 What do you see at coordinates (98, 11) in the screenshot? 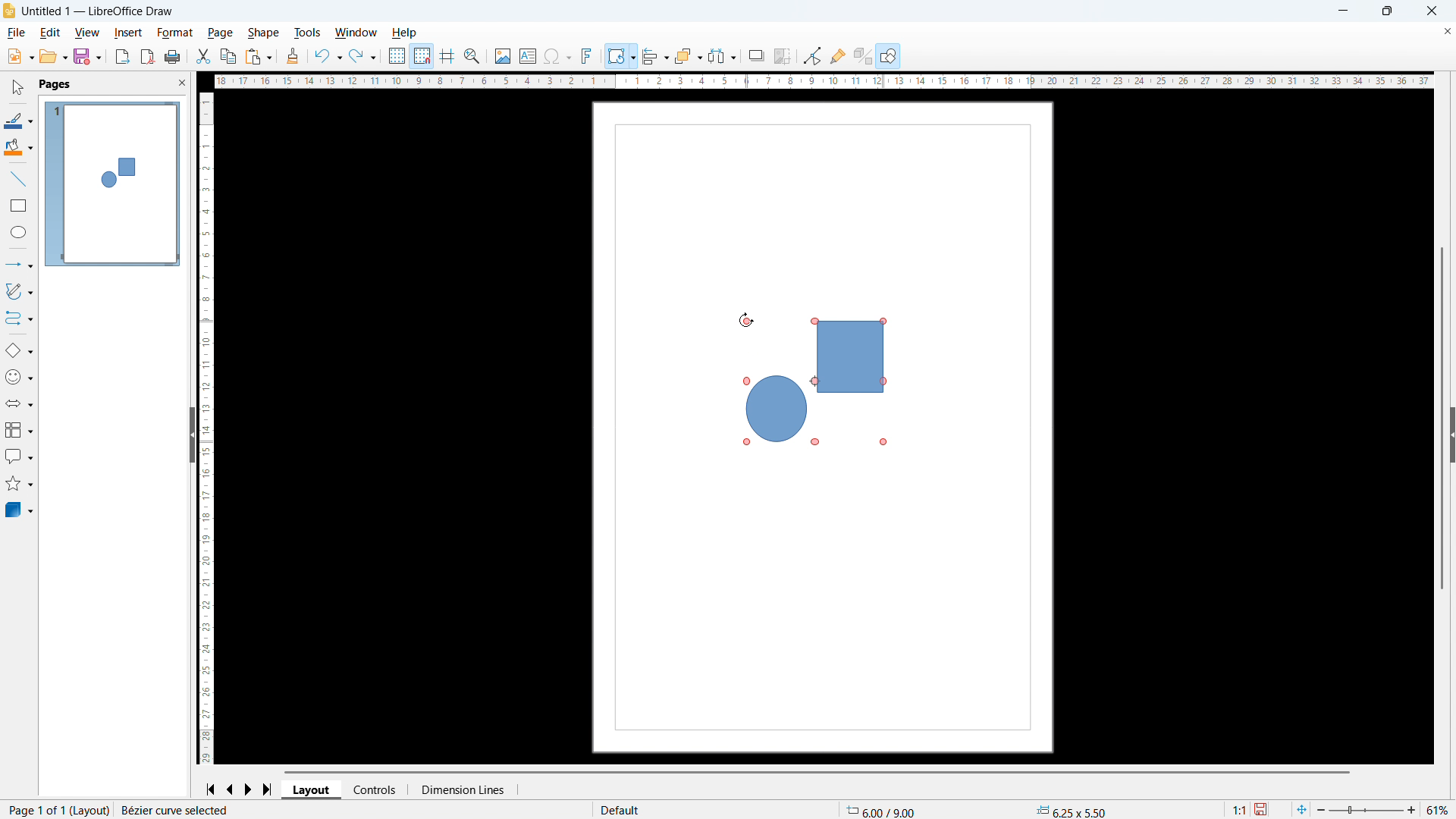
I see `Document title ` at bounding box center [98, 11].